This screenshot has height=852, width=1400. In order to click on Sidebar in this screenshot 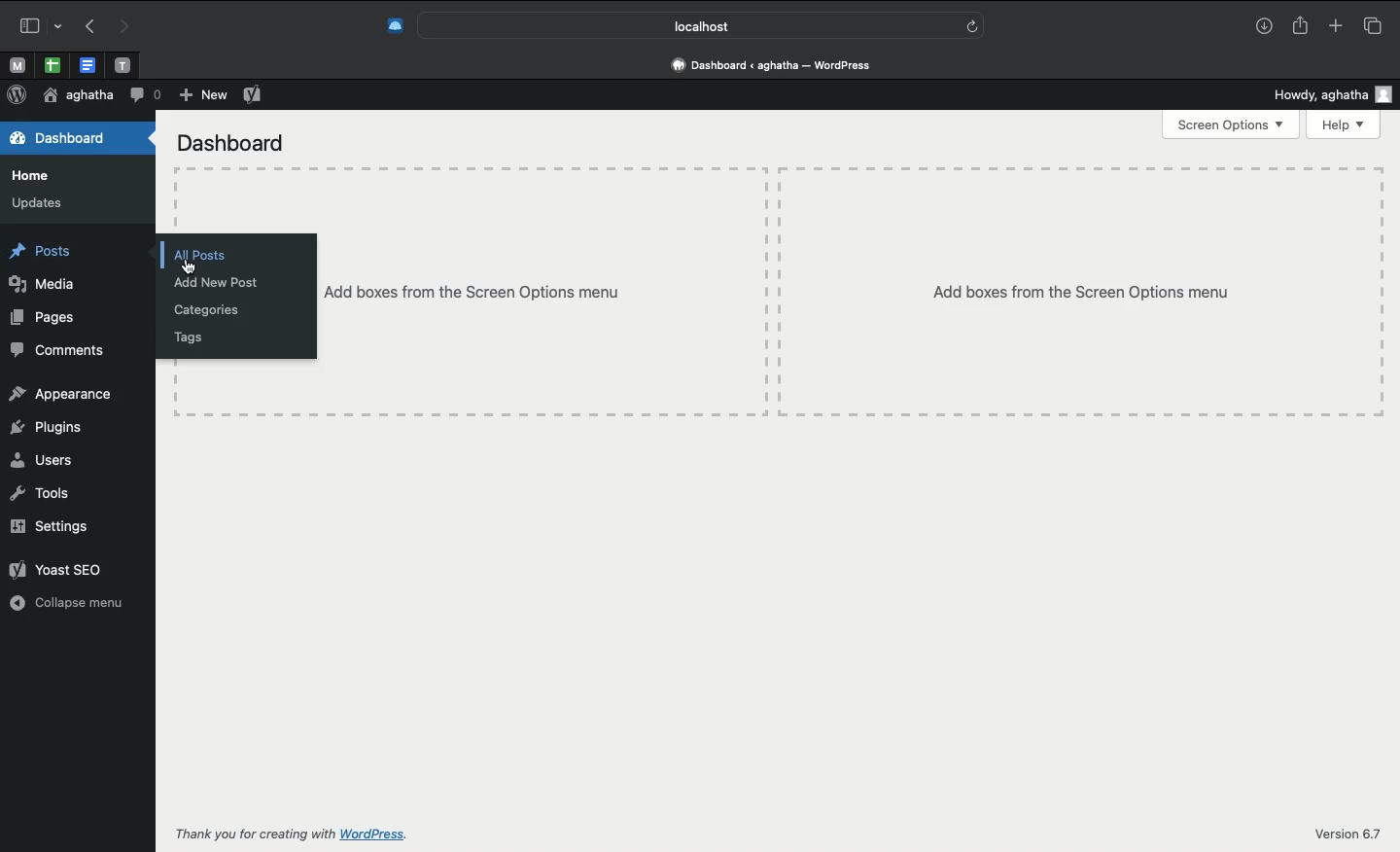, I will do `click(38, 23)`.